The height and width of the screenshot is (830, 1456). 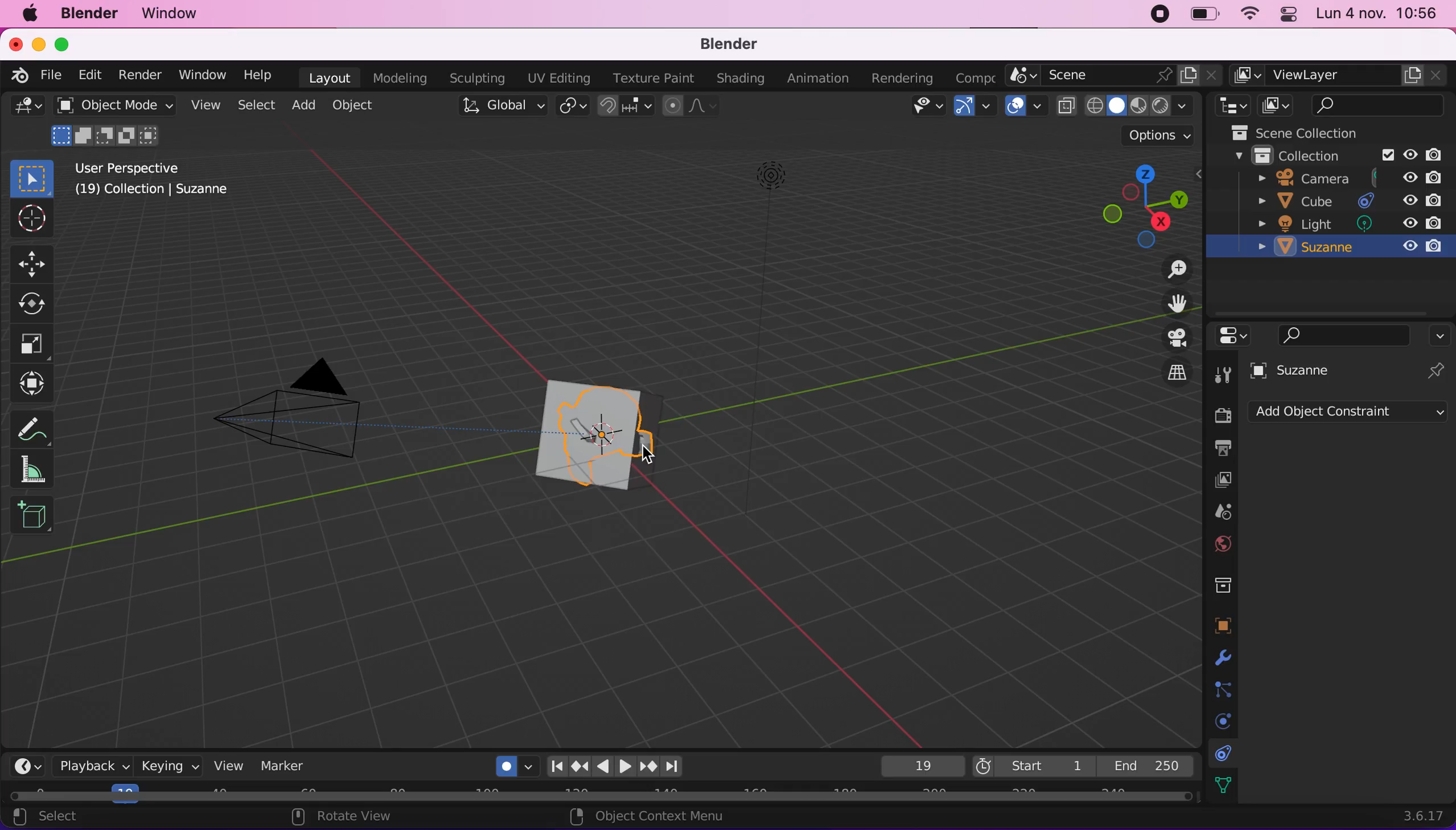 I want to click on animation, so click(x=818, y=78).